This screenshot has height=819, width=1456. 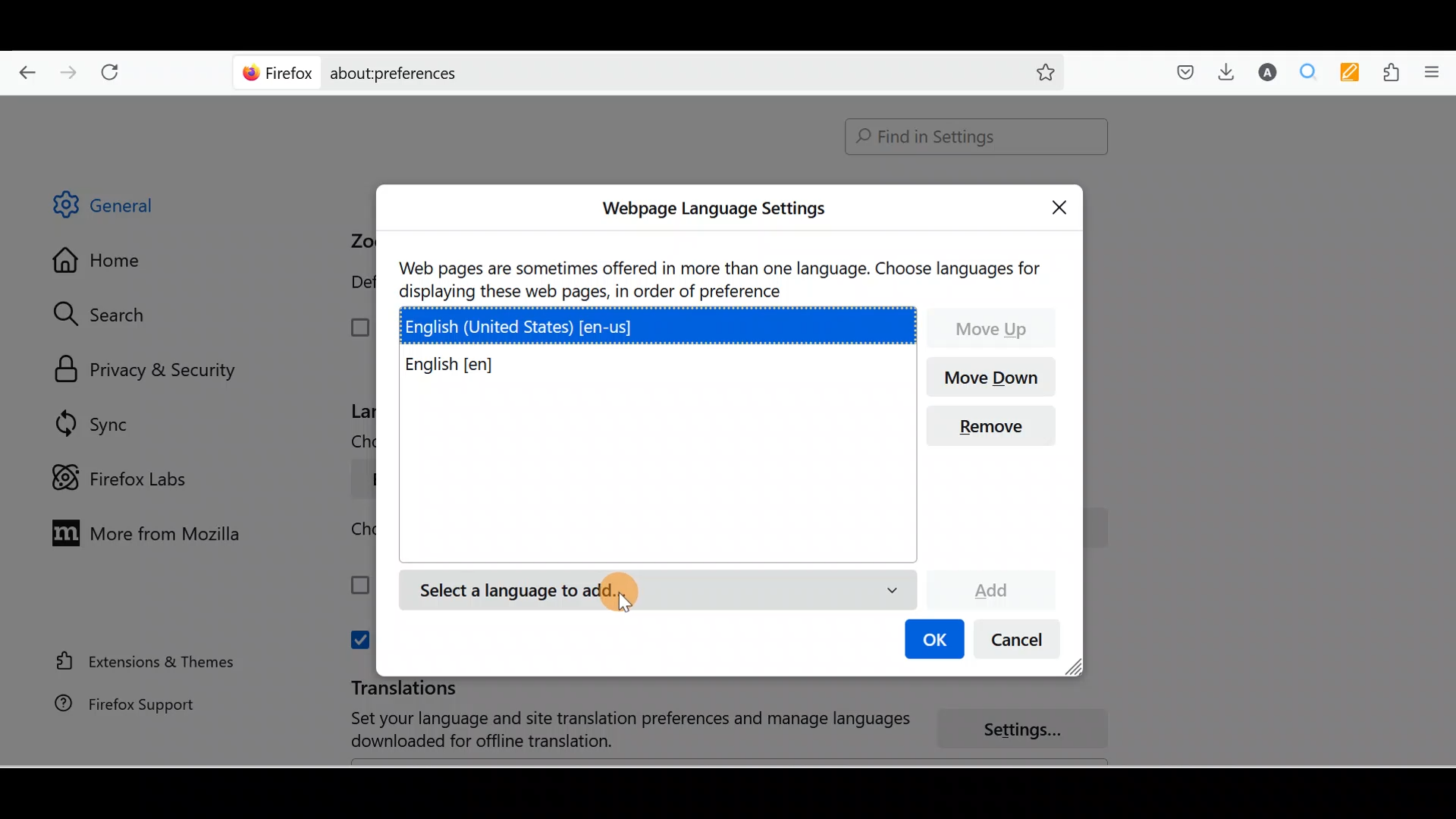 What do you see at coordinates (1180, 73) in the screenshot?
I see `Save to pocket` at bounding box center [1180, 73].